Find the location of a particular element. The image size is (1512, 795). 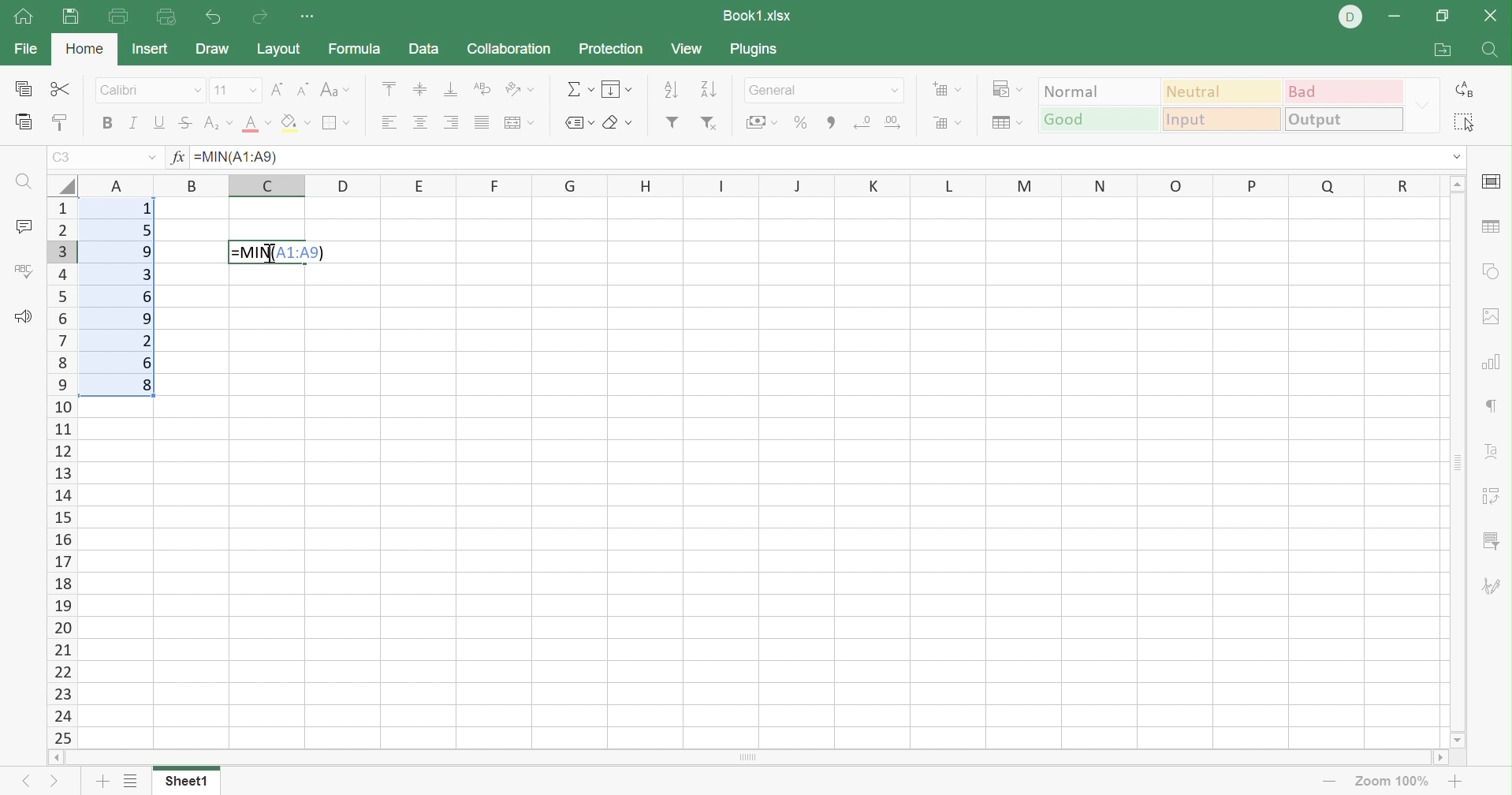

ollaboration is located at coordinates (511, 50).